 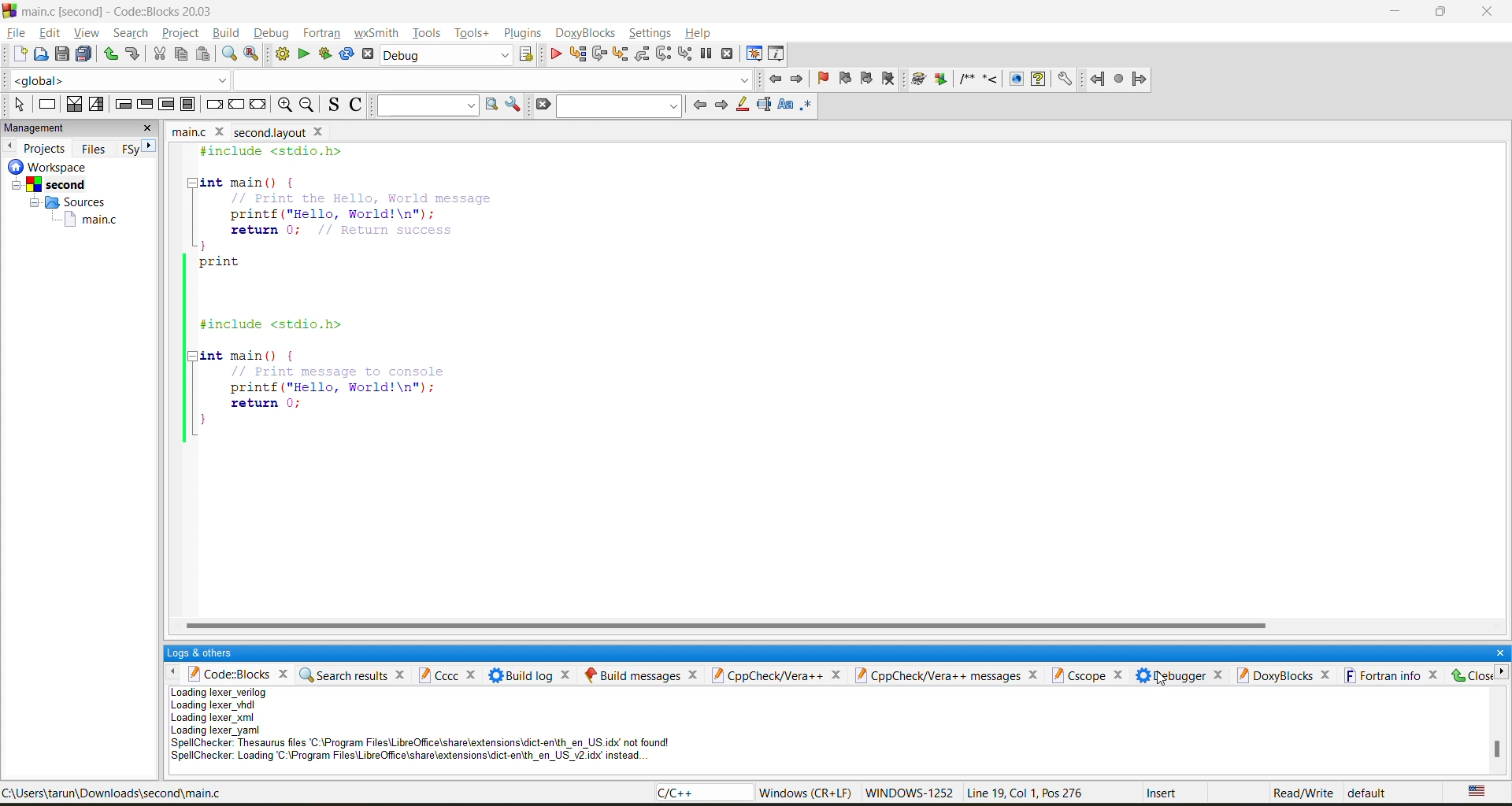 I want to click on show select target dialog, so click(x=529, y=55).